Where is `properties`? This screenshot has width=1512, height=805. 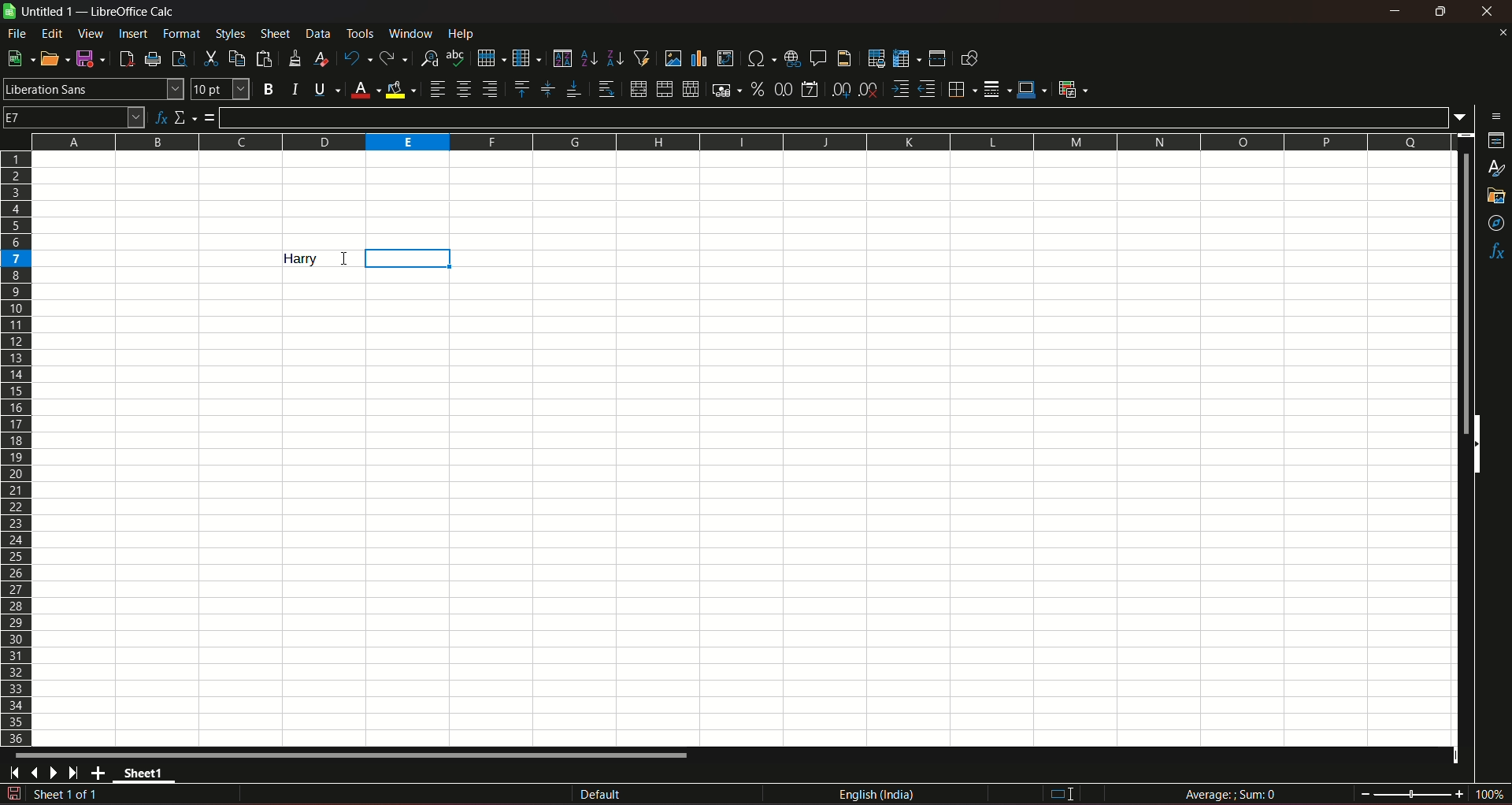 properties is located at coordinates (1496, 142).